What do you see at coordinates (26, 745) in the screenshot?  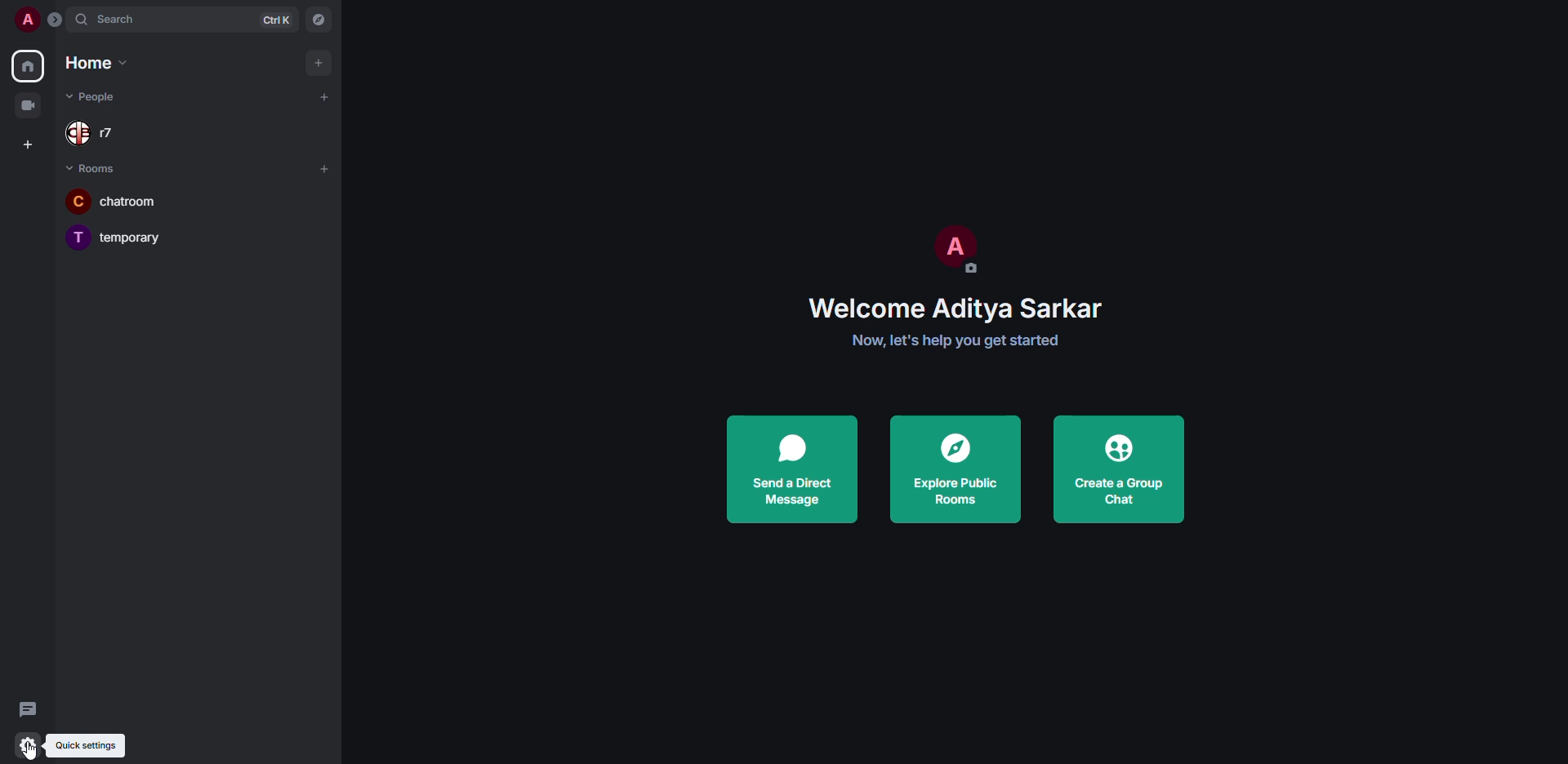 I see `quick settings` at bounding box center [26, 745].